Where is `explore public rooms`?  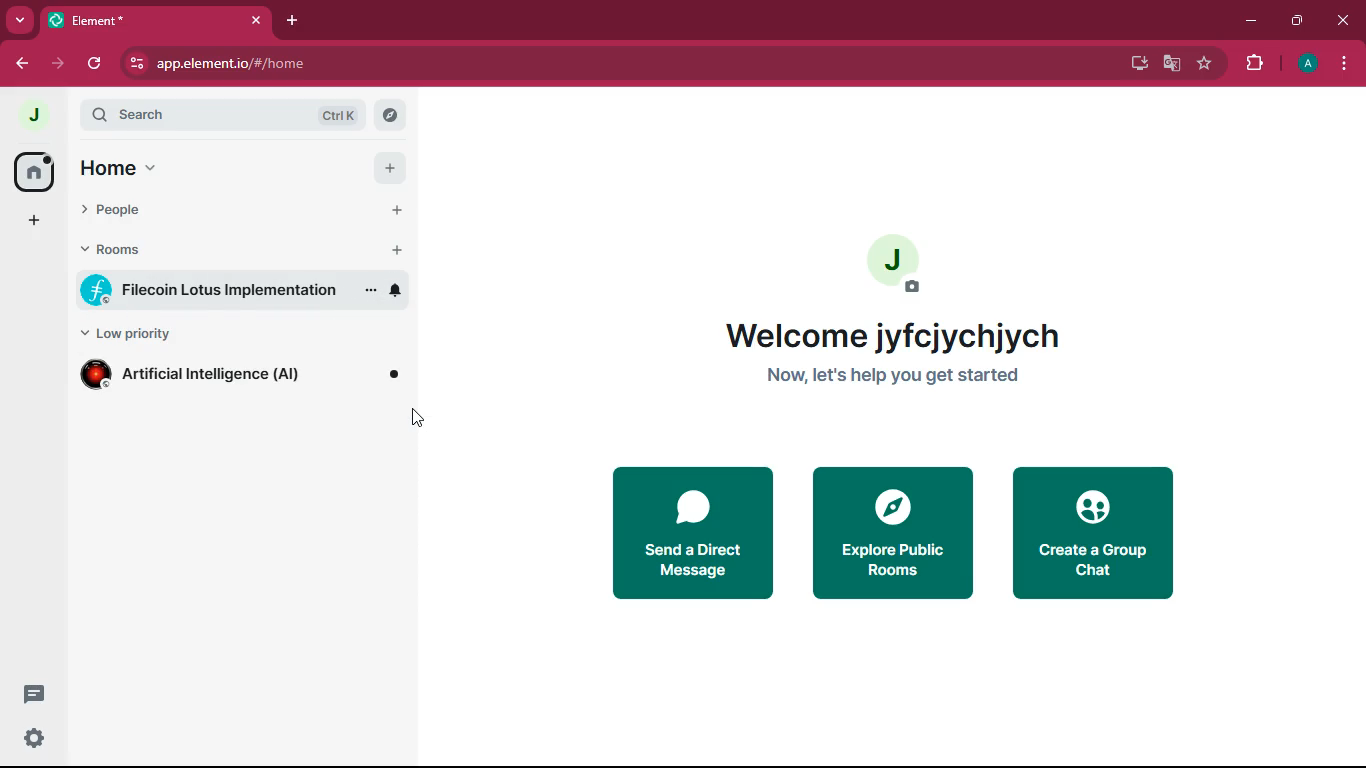 explore public rooms is located at coordinates (892, 537).